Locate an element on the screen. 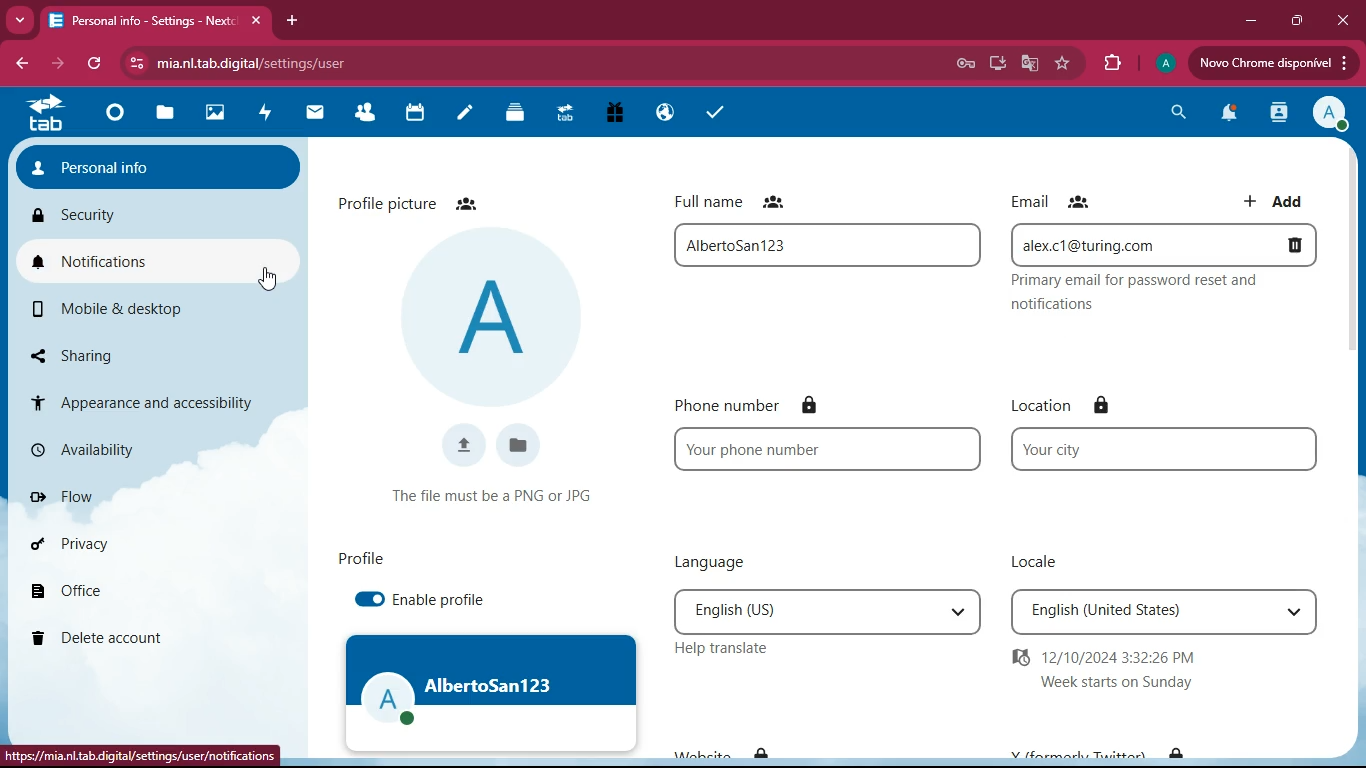 The width and height of the screenshot is (1366, 768). gift is located at coordinates (615, 114).